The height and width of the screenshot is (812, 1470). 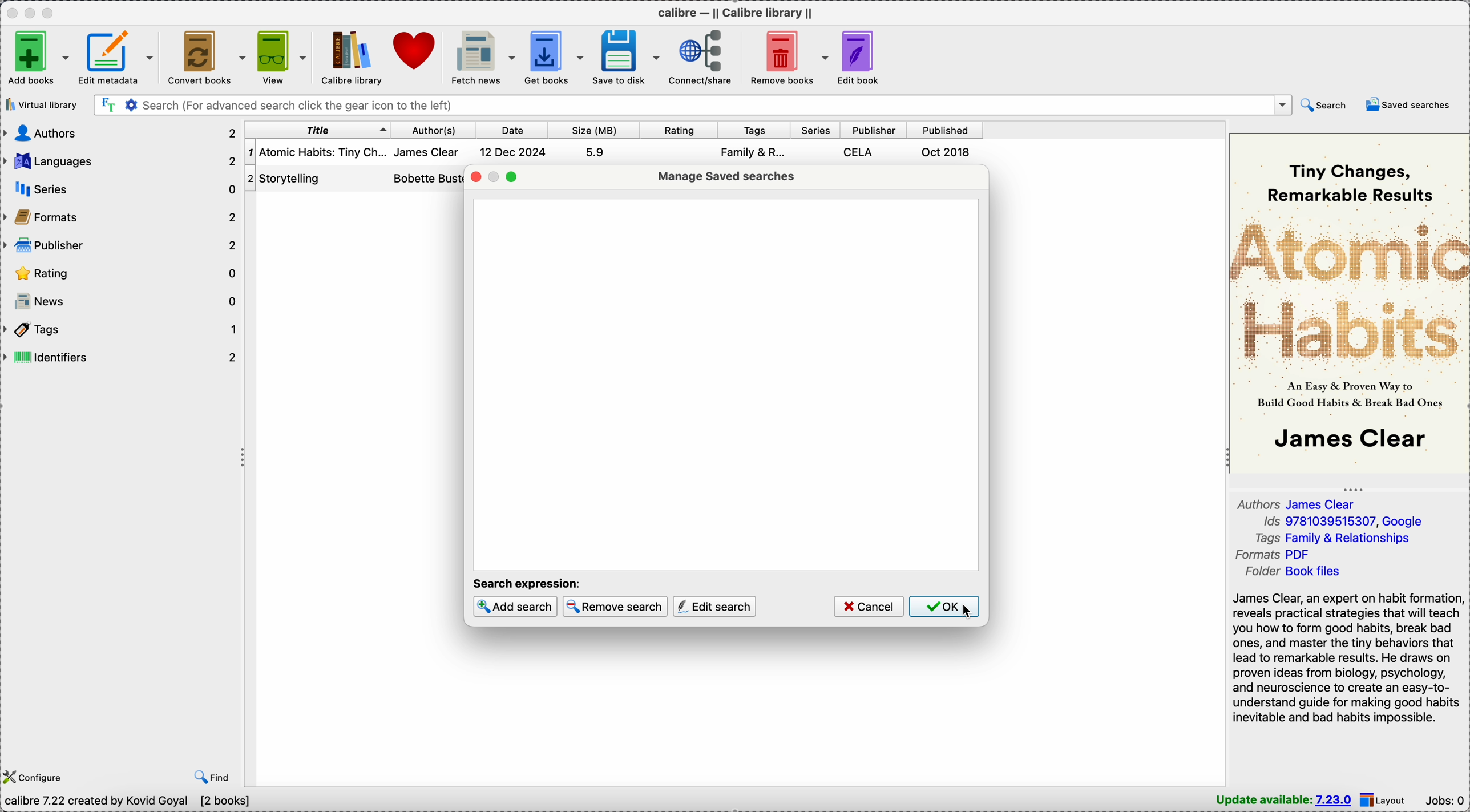 I want to click on rating, so click(x=675, y=130).